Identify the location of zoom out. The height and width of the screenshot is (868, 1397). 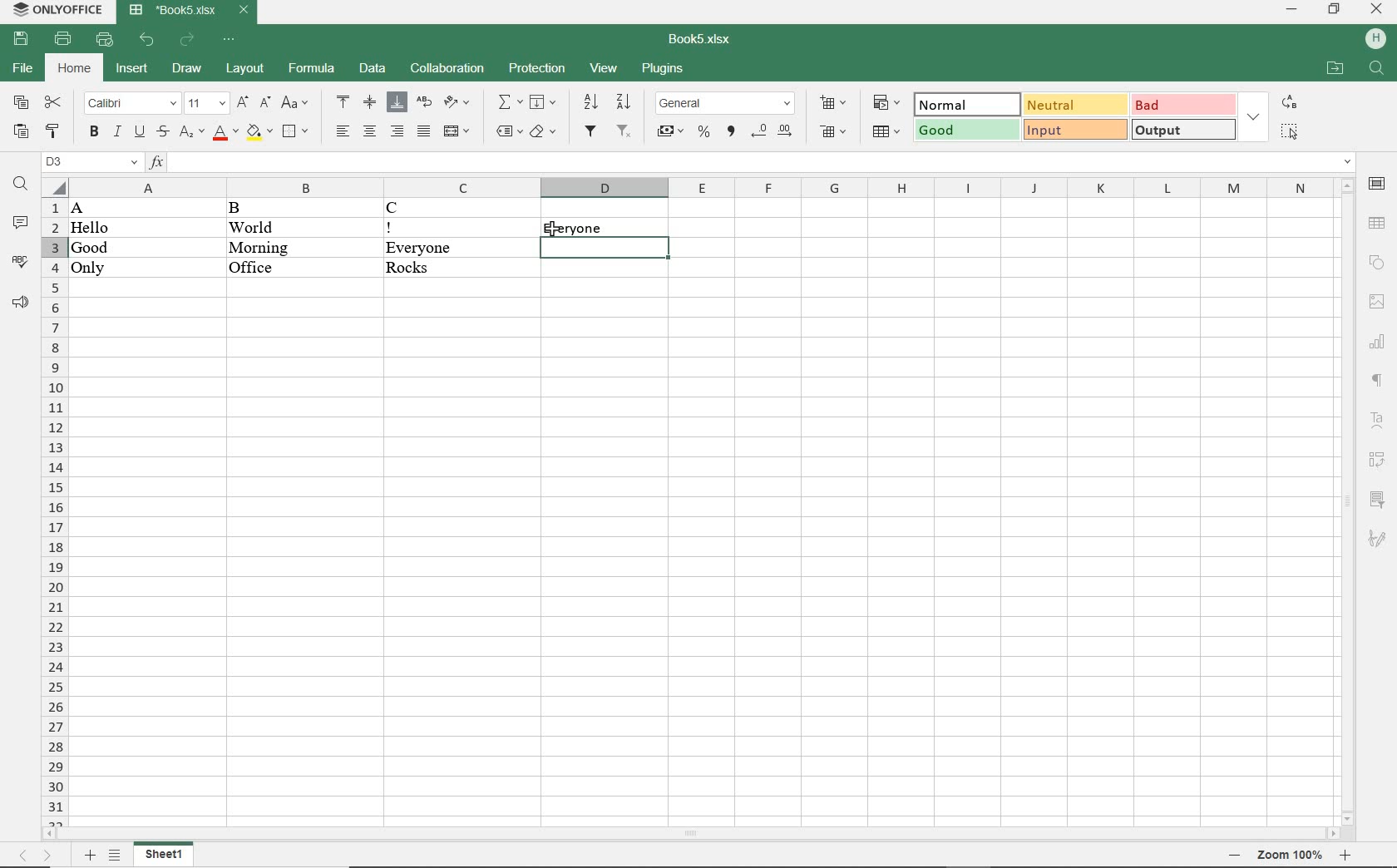
(1233, 854).